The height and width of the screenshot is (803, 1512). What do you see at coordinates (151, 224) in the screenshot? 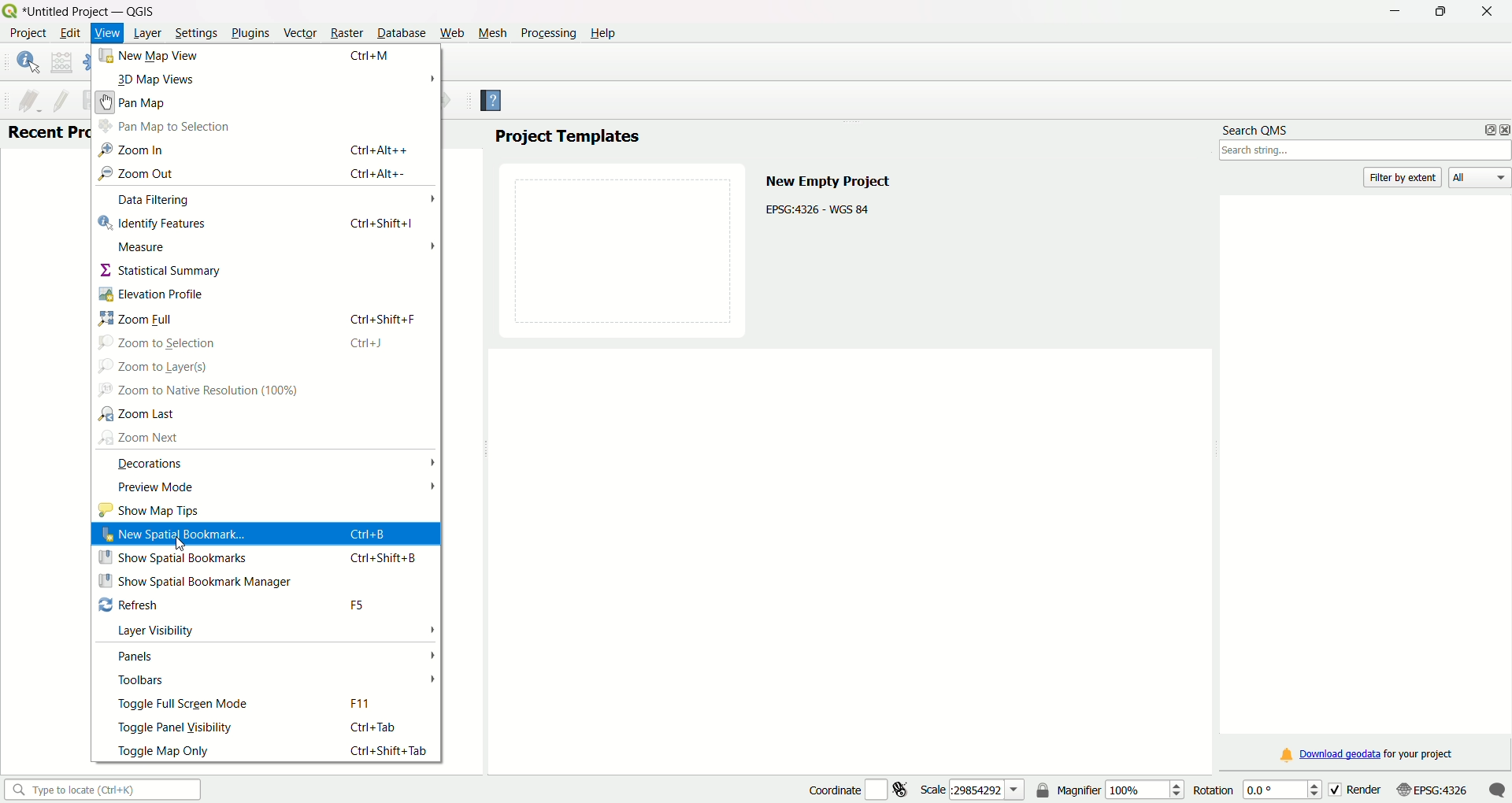
I see `identify features` at bounding box center [151, 224].